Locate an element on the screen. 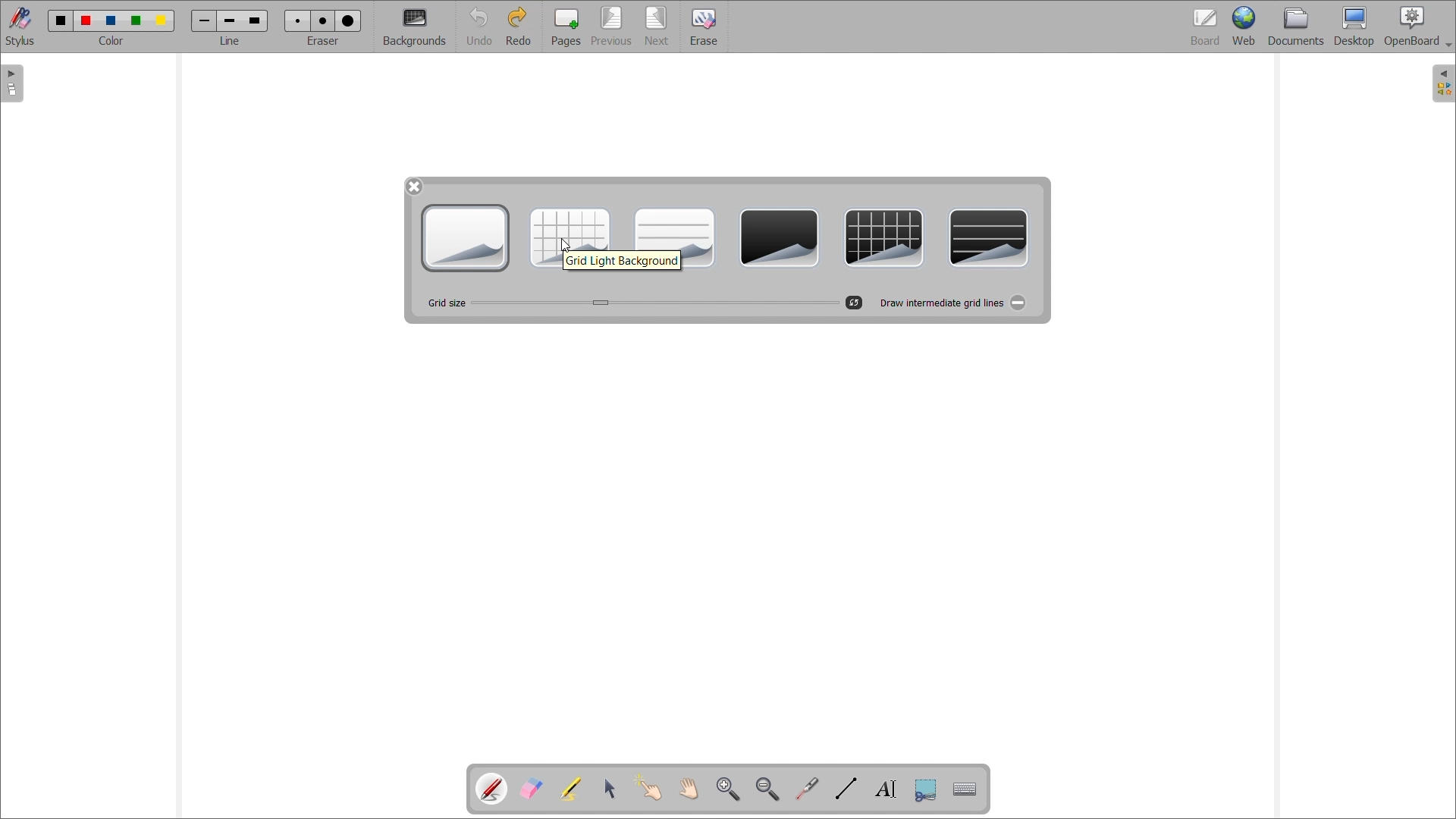 This screenshot has height=819, width=1456. Current selection/Board is located at coordinates (1206, 26).